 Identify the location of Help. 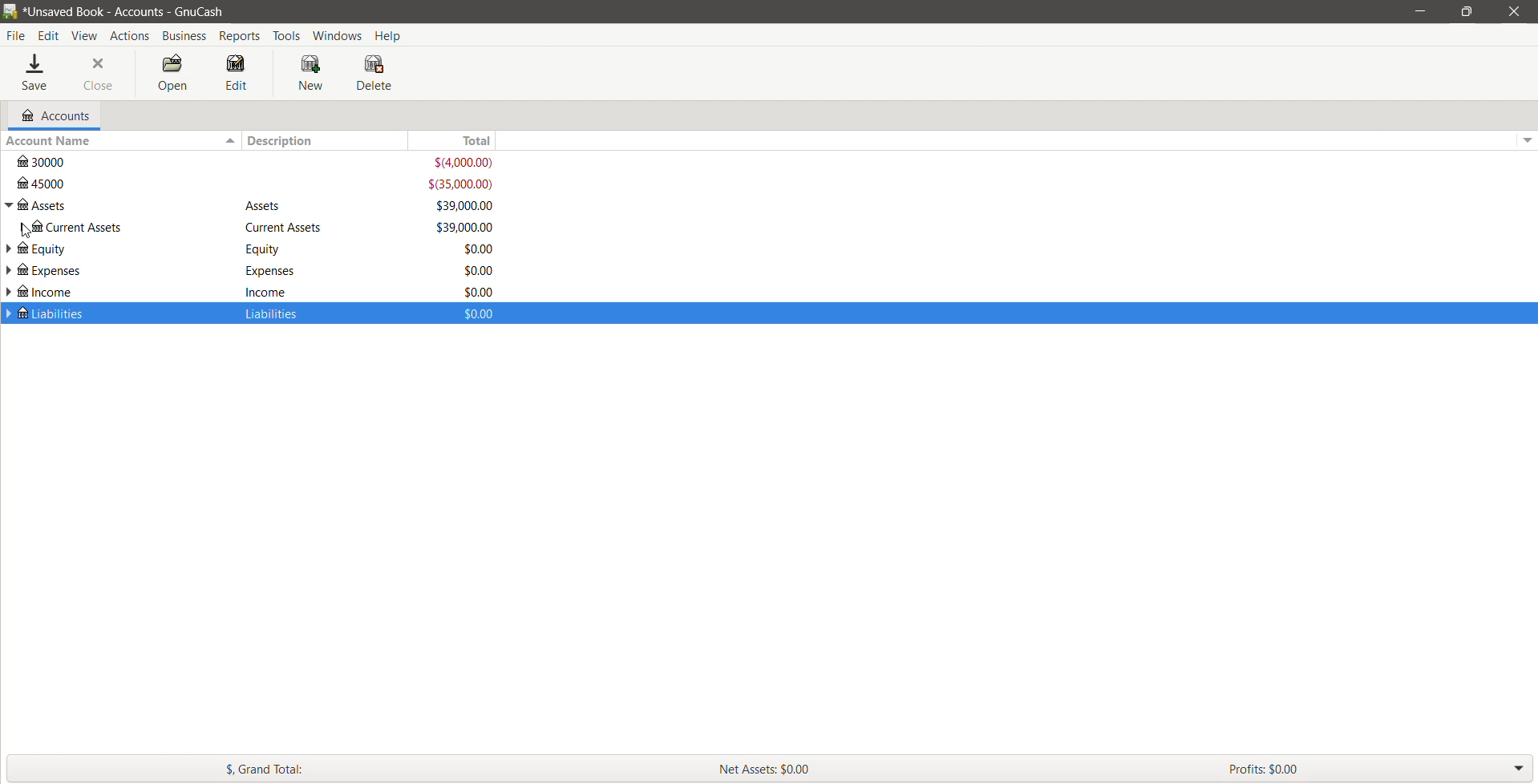
(390, 35).